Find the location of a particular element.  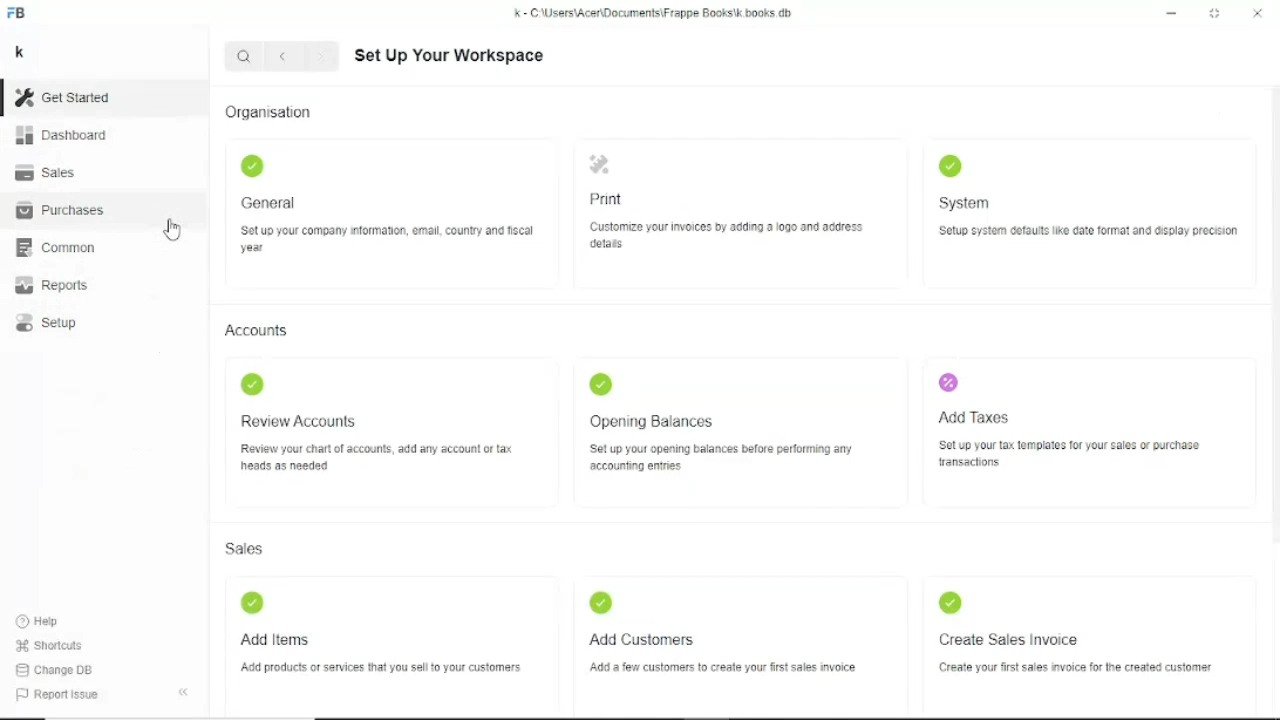

Add customers  add a few customers to create your first sales invoice. is located at coordinates (721, 639).